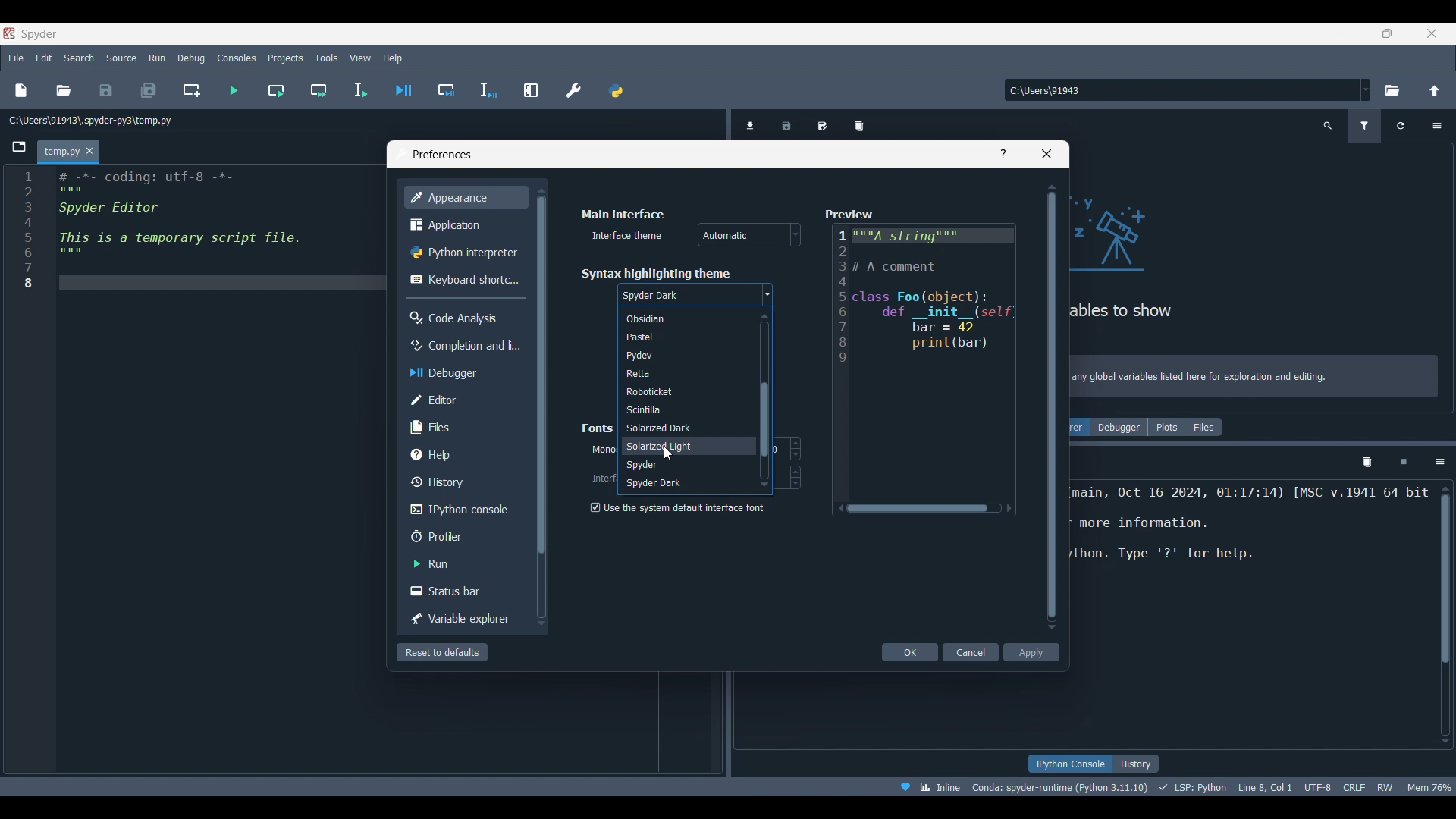  Describe the element at coordinates (1316, 786) in the screenshot. I see `utf-8` at that location.